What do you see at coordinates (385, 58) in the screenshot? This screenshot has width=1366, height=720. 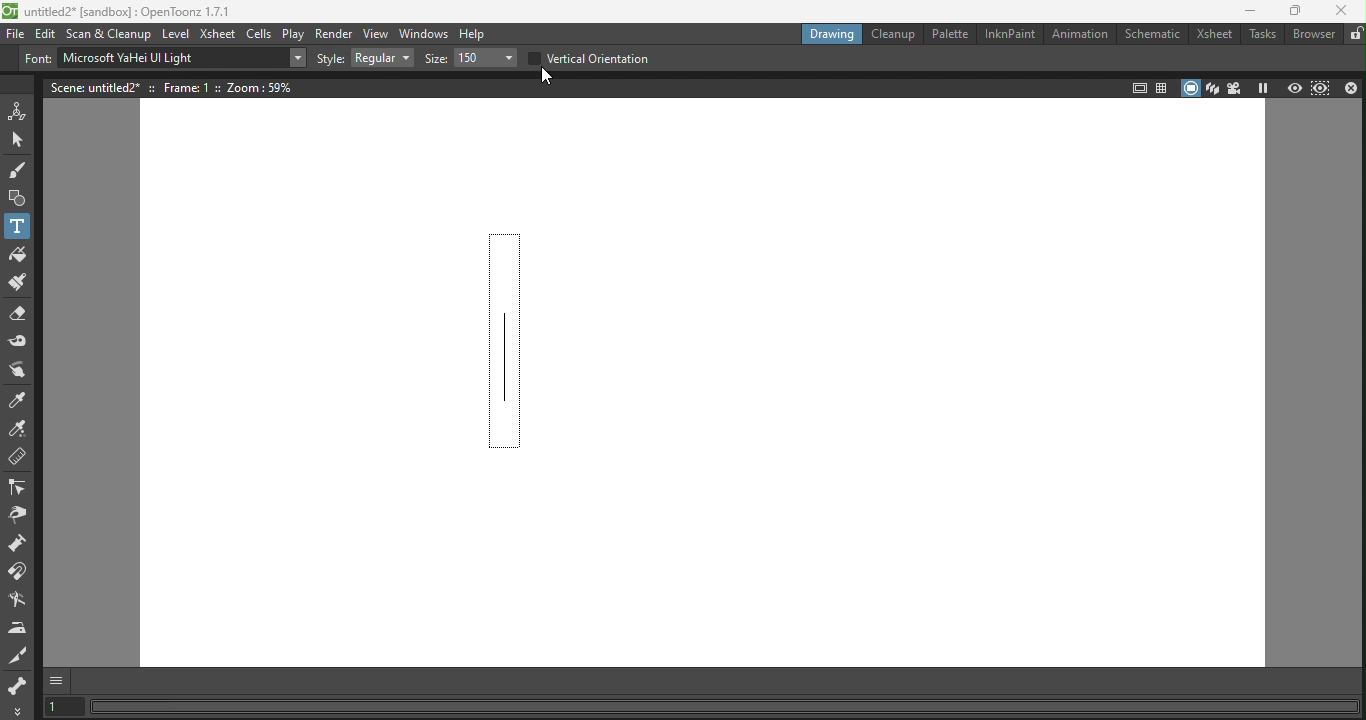 I see `Drop down` at bounding box center [385, 58].